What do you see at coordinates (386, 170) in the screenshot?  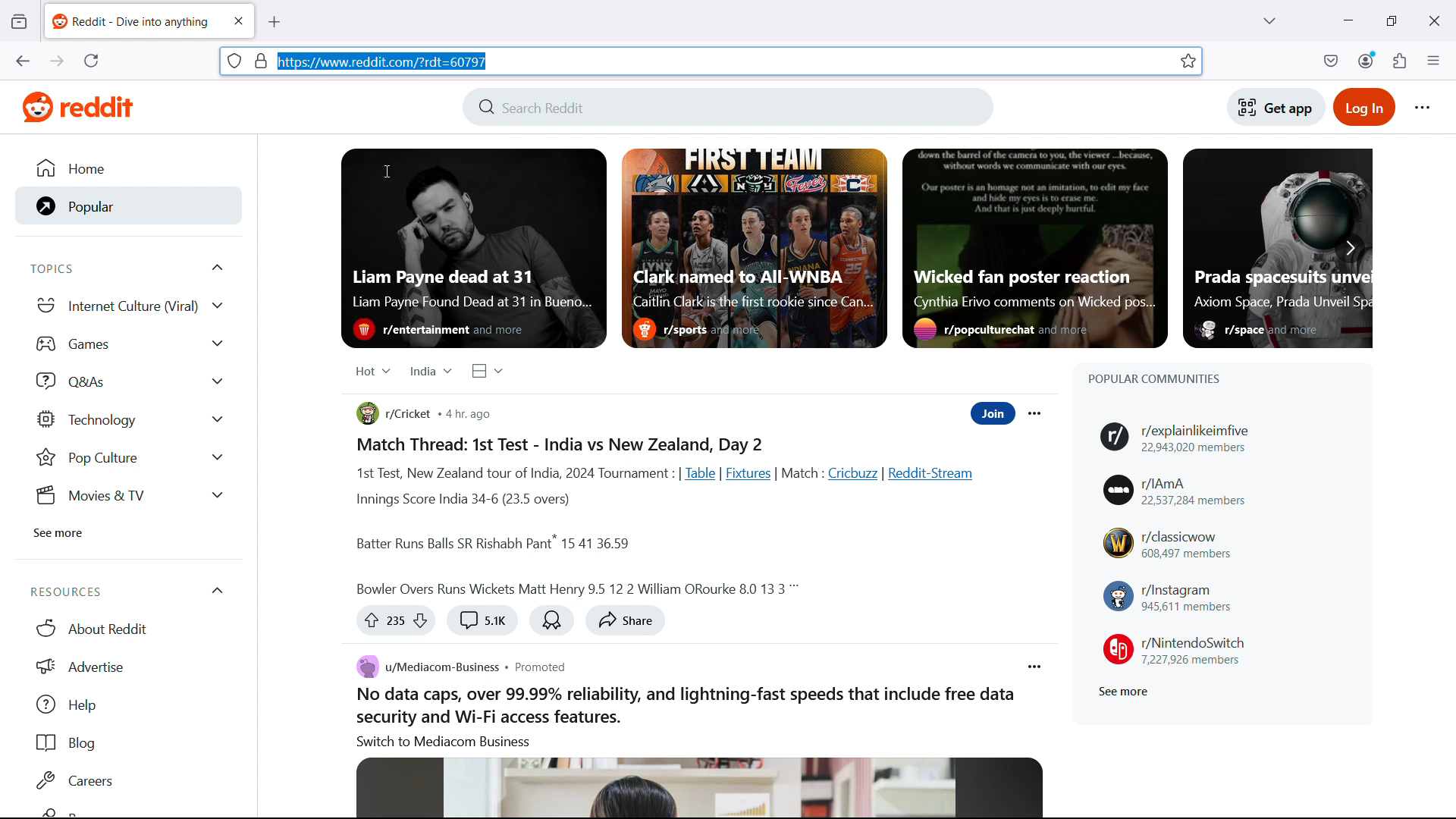 I see `cursor` at bounding box center [386, 170].